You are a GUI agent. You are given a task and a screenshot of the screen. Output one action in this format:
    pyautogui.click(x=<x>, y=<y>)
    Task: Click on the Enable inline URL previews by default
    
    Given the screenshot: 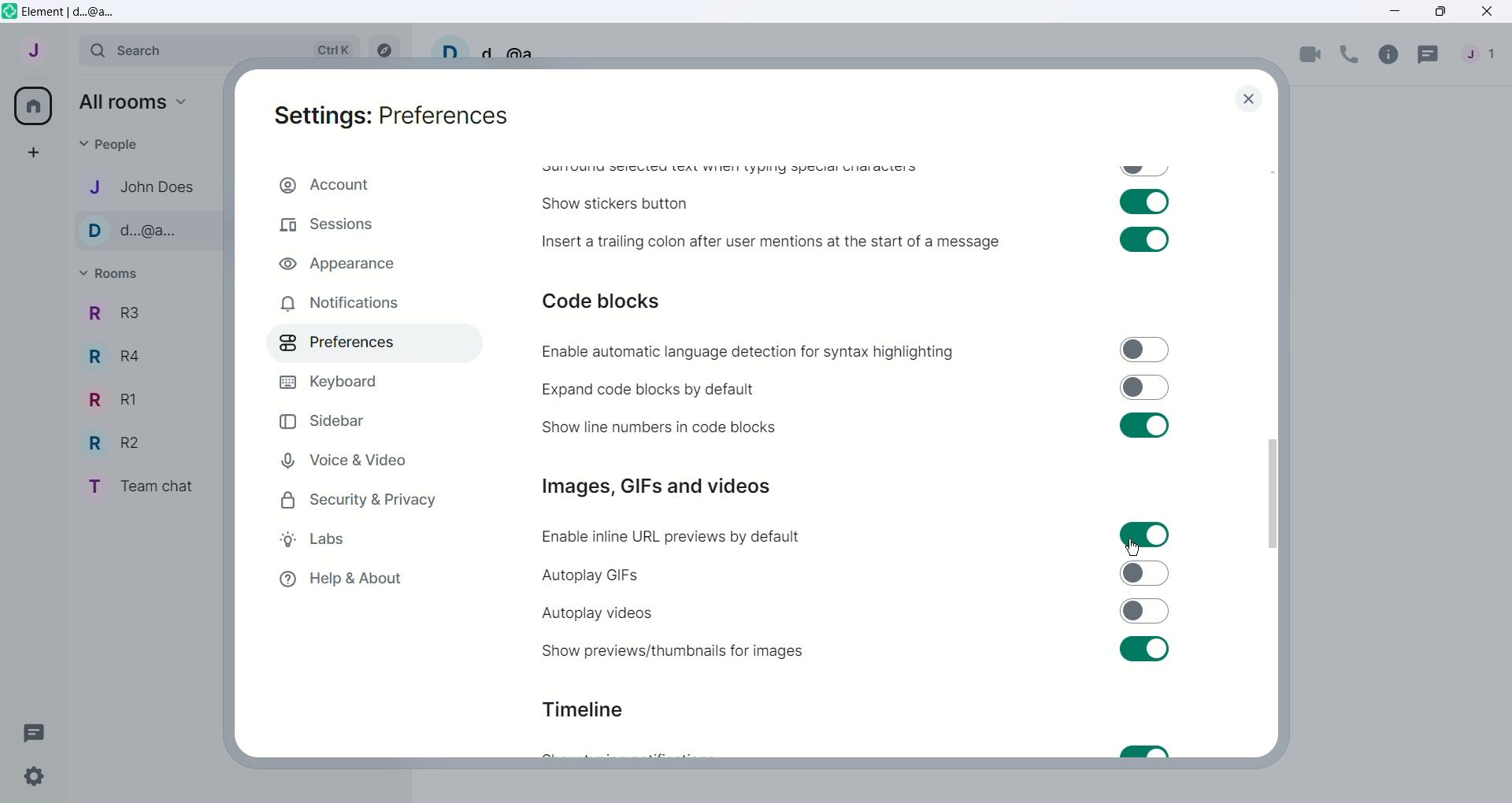 What is the action you would take?
    pyautogui.click(x=673, y=537)
    